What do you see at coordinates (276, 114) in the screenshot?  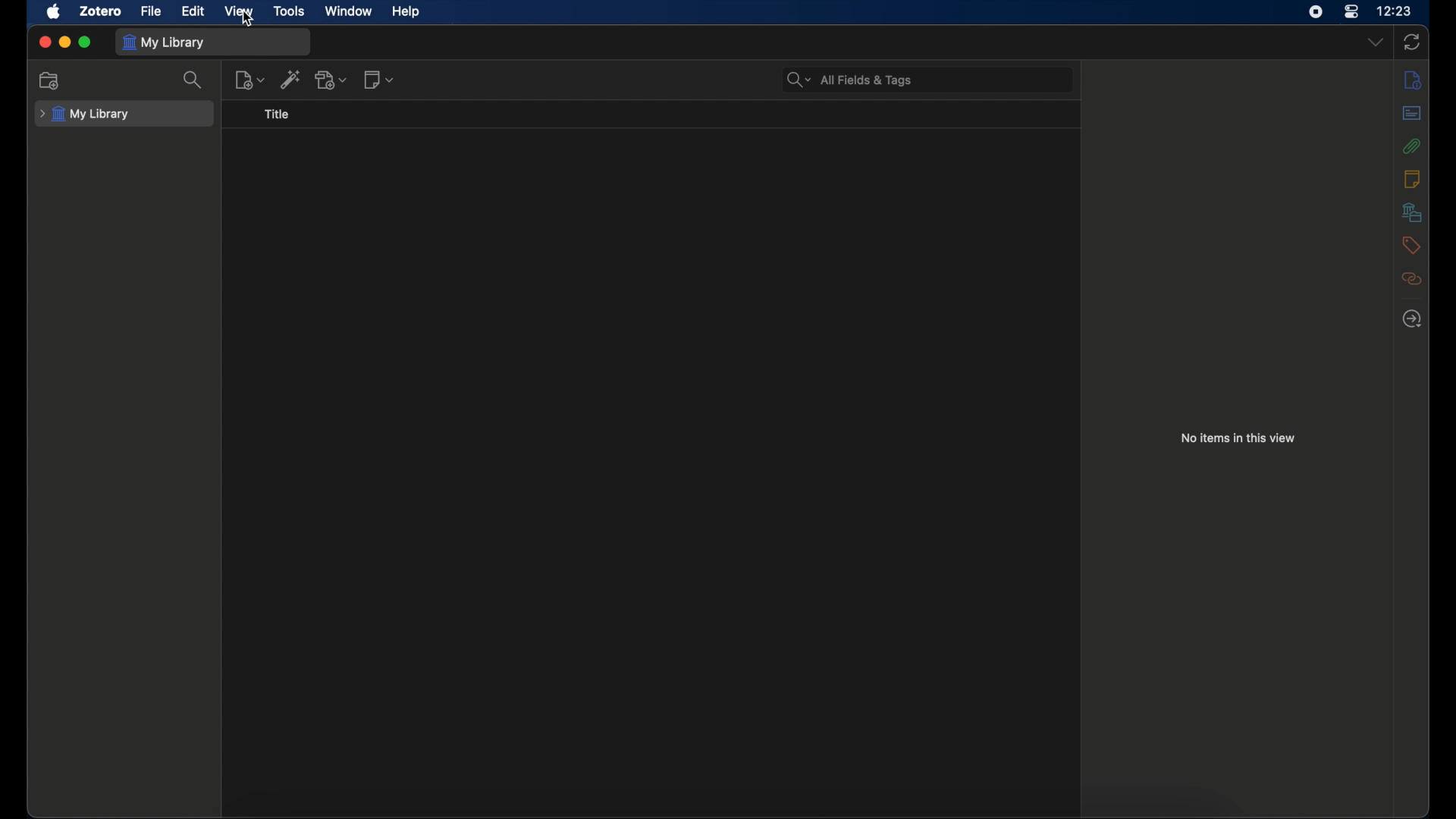 I see `title` at bounding box center [276, 114].